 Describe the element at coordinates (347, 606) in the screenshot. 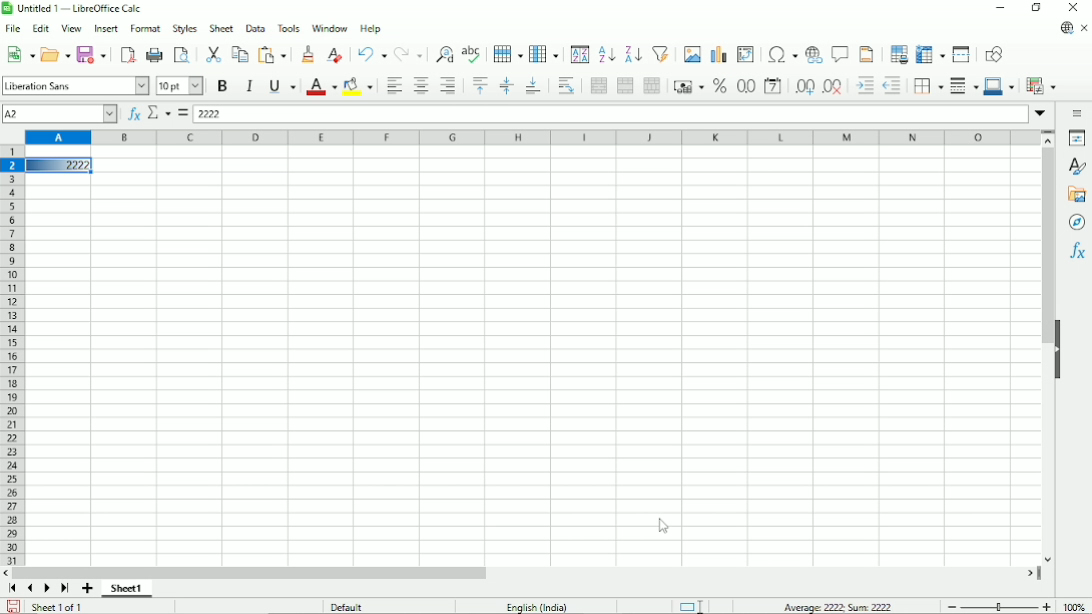

I see `Default` at that location.